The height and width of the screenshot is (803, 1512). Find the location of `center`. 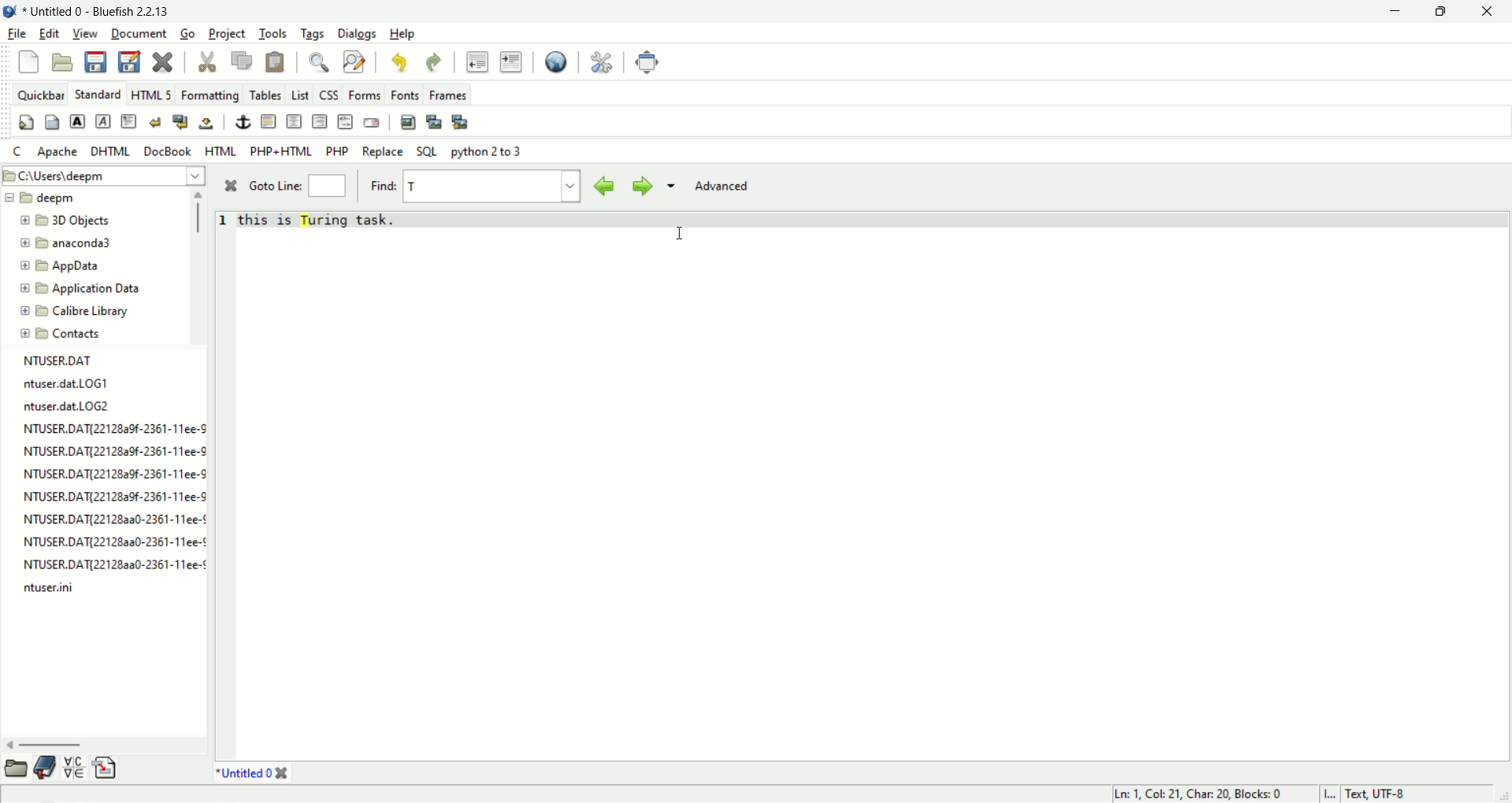

center is located at coordinates (295, 122).